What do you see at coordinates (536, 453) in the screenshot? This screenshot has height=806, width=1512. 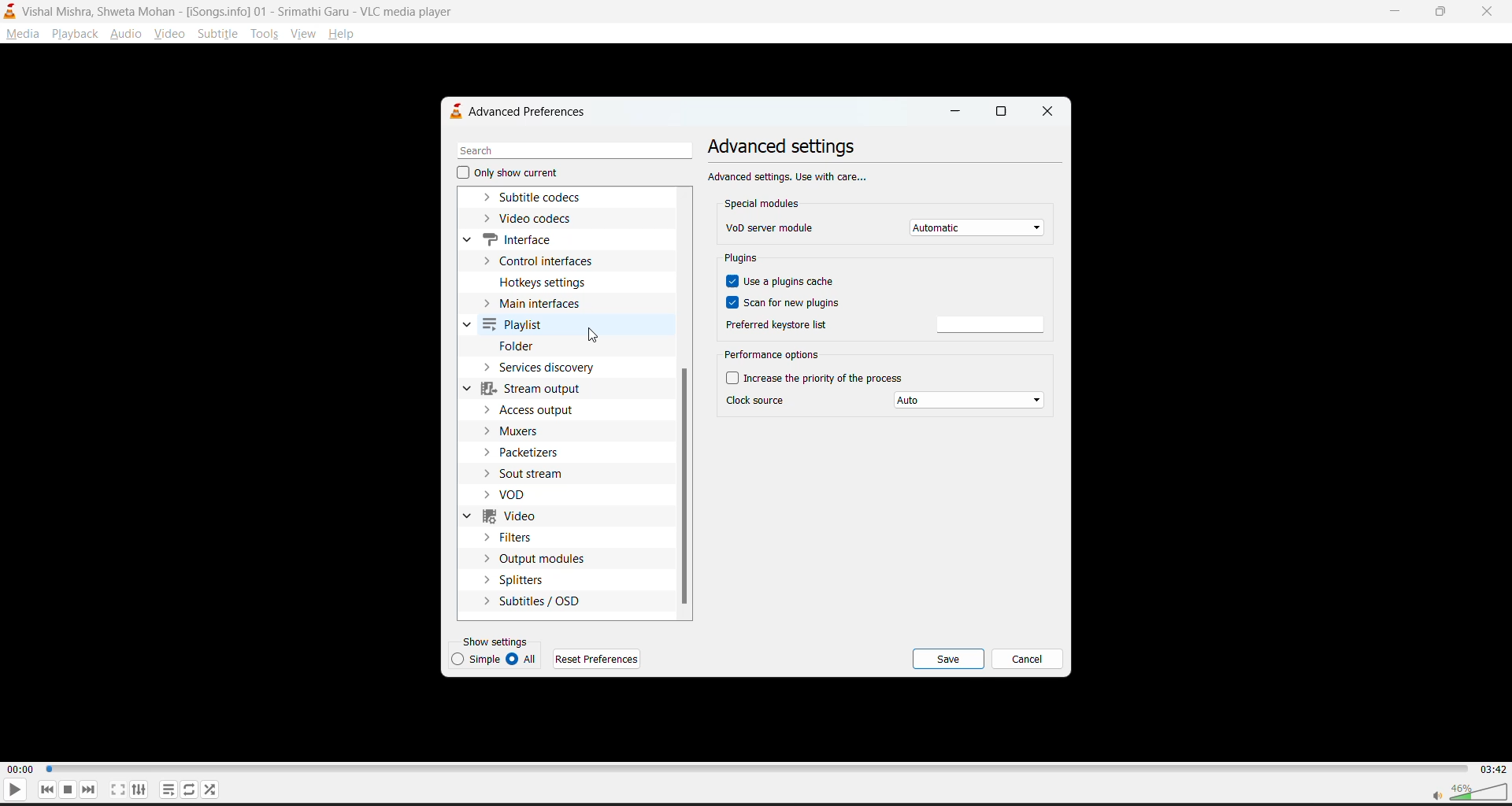 I see `packetizers` at bounding box center [536, 453].